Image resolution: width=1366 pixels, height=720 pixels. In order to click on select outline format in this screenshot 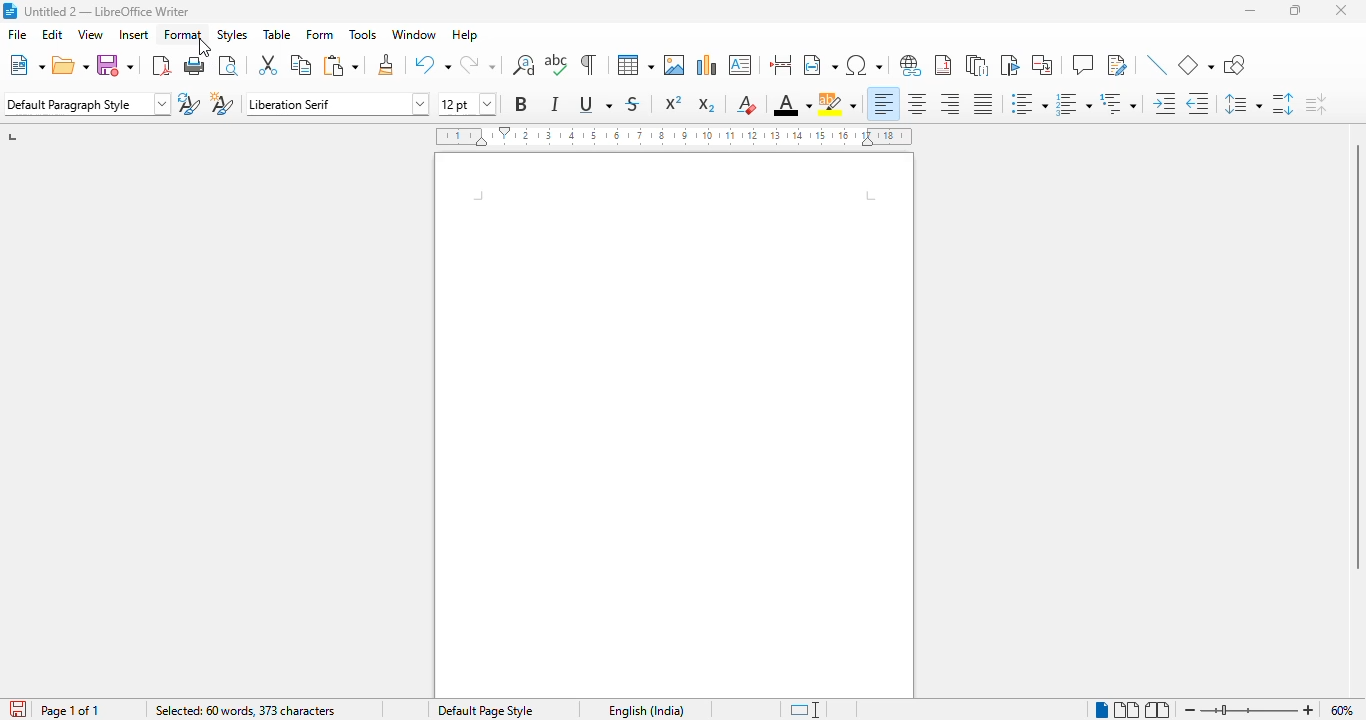, I will do `click(1118, 104)`.